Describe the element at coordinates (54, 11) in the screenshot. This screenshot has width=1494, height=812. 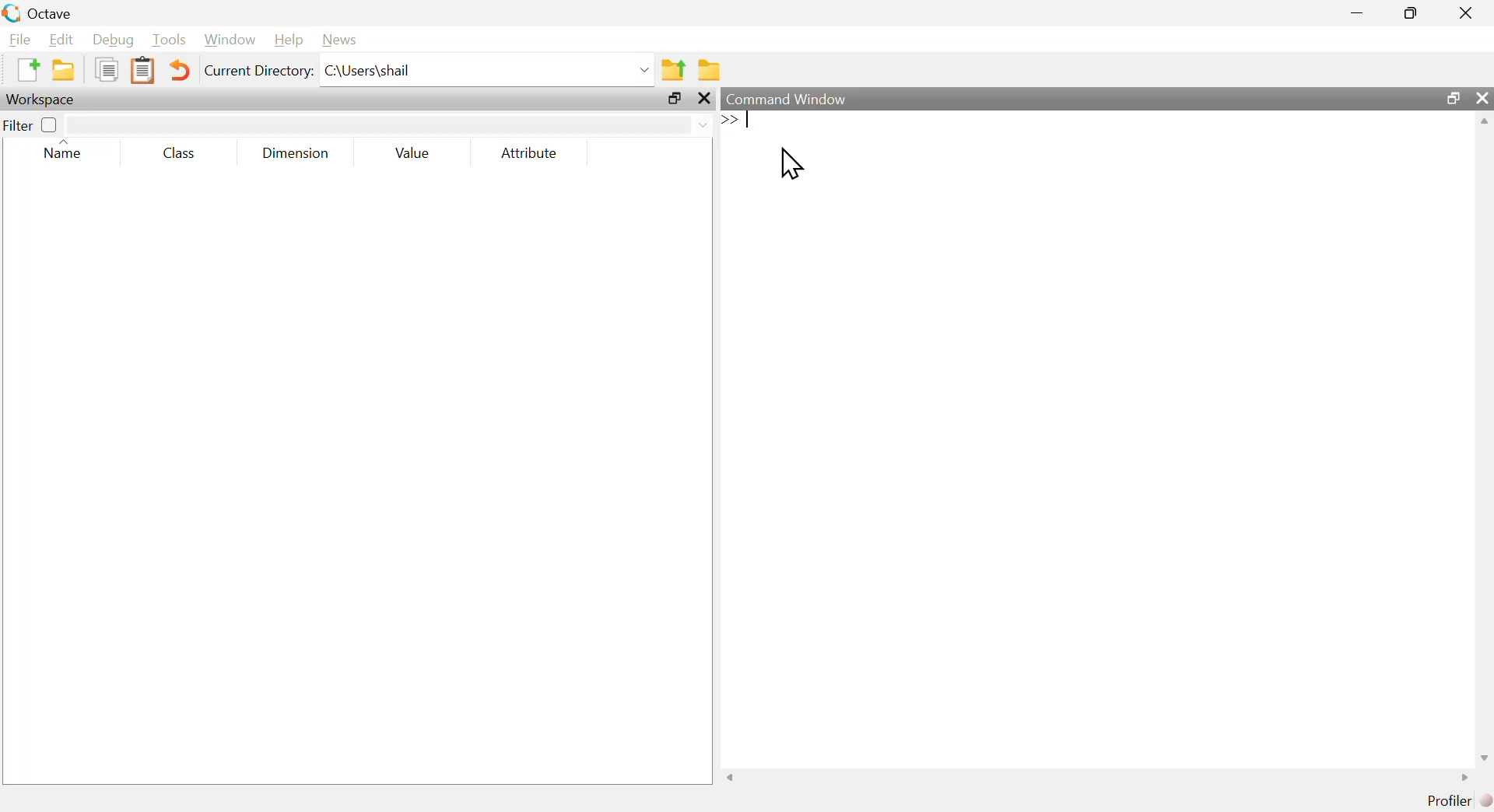
I see `octave` at that location.